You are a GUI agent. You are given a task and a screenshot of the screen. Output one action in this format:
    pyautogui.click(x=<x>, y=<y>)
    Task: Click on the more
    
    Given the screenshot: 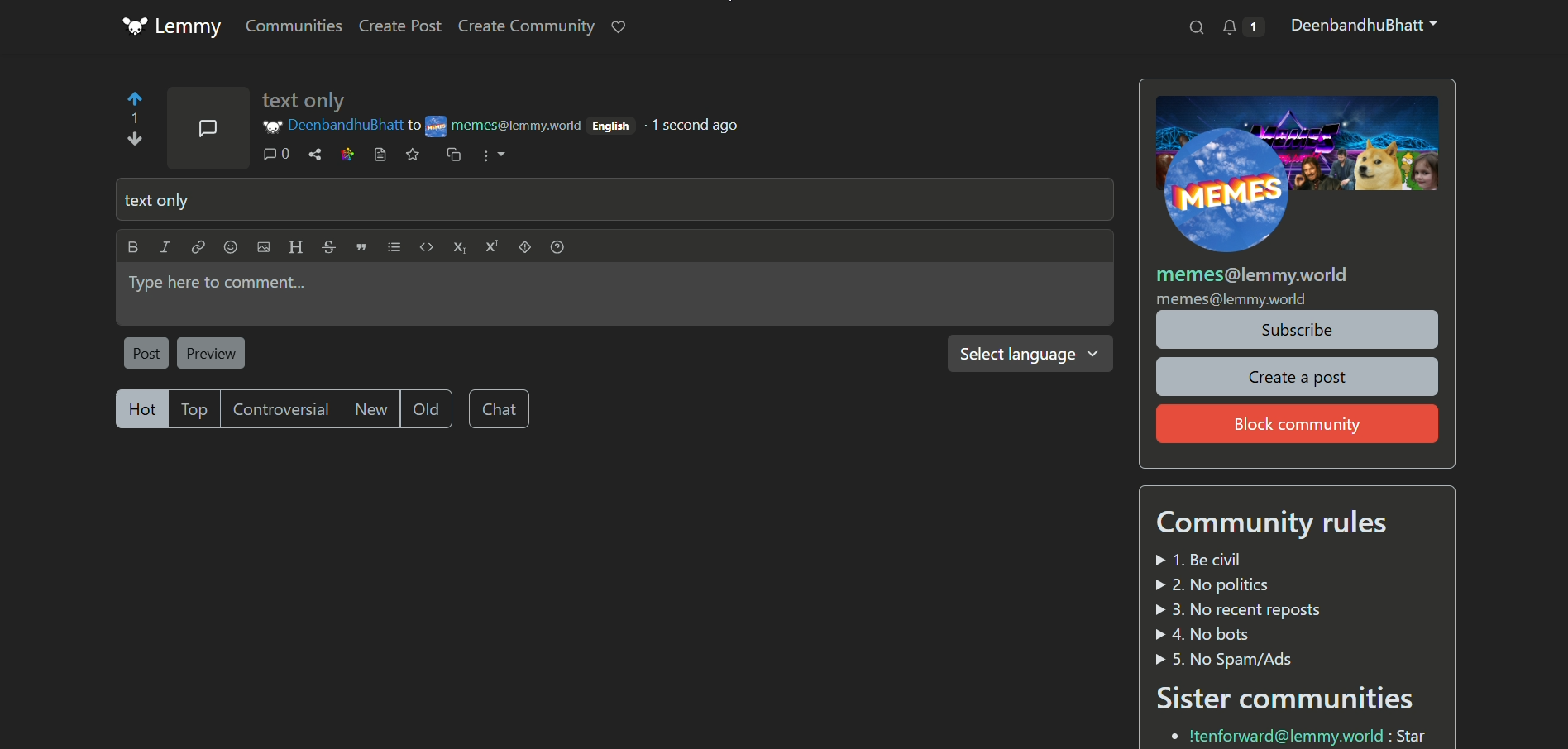 What is the action you would take?
    pyautogui.click(x=495, y=155)
    